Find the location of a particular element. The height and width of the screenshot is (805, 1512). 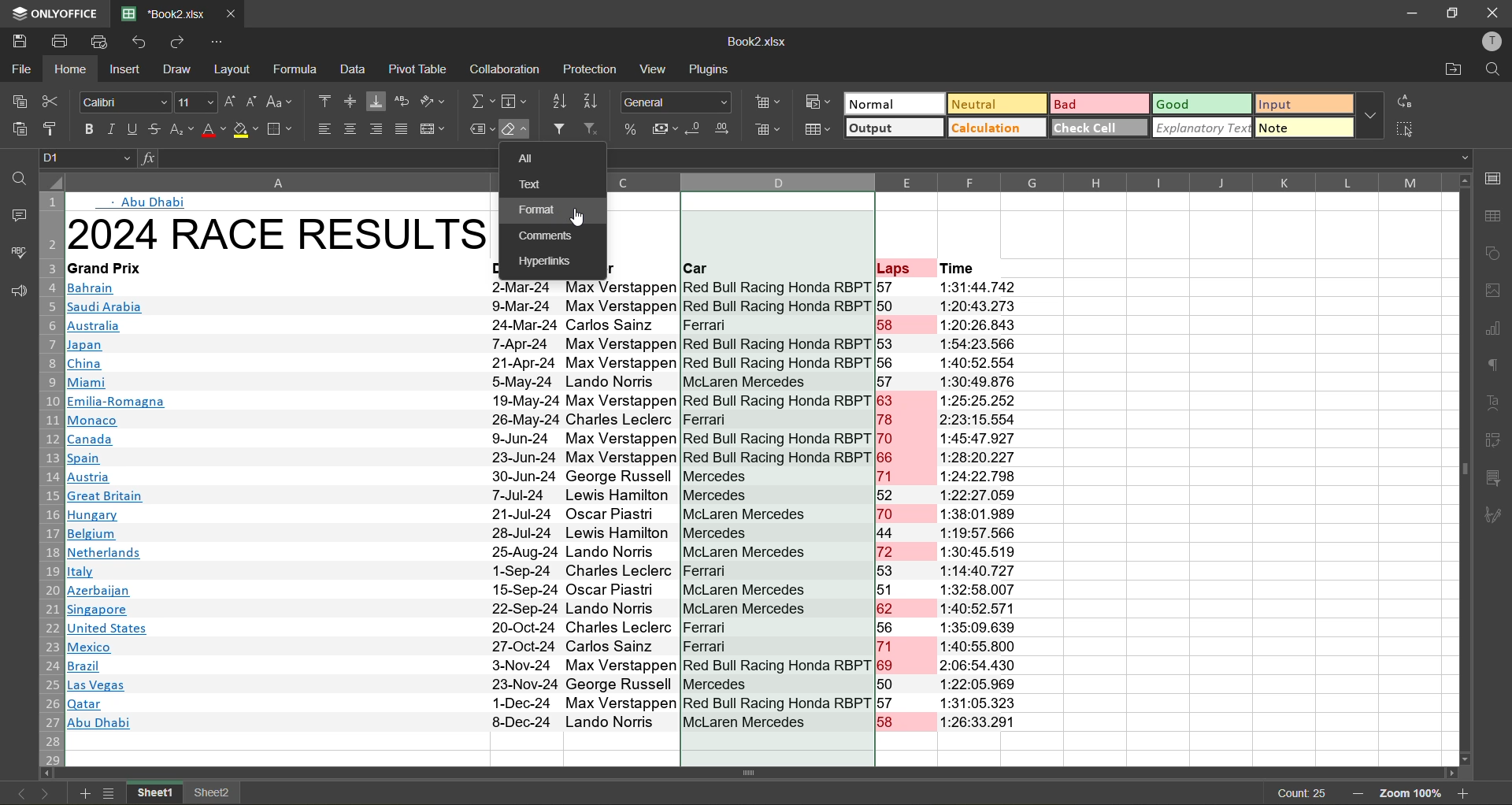

more options is located at coordinates (1370, 114).